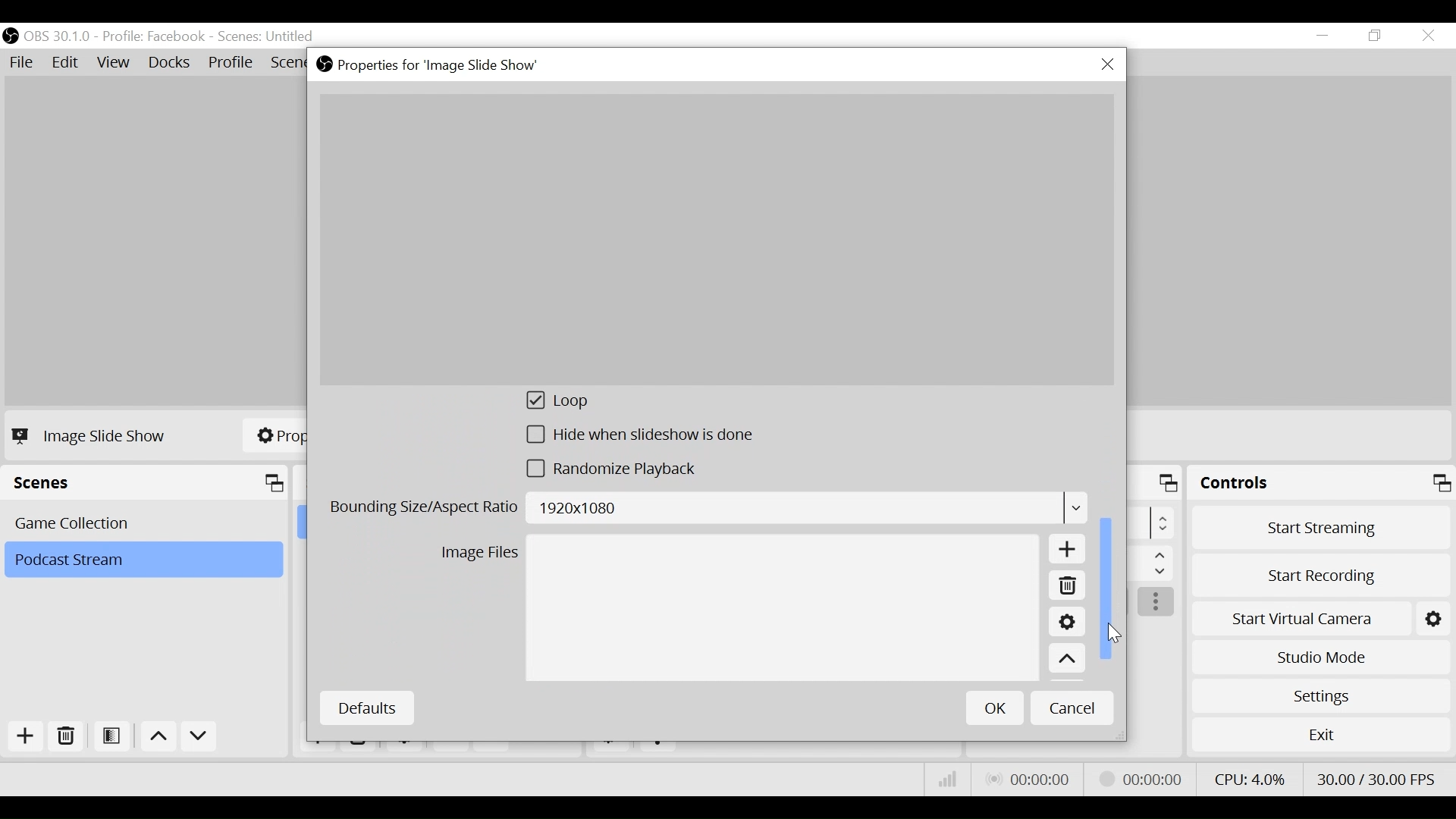  What do you see at coordinates (115, 737) in the screenshot?
I see `Open Scene Filter` at bounding box center [115, 737].